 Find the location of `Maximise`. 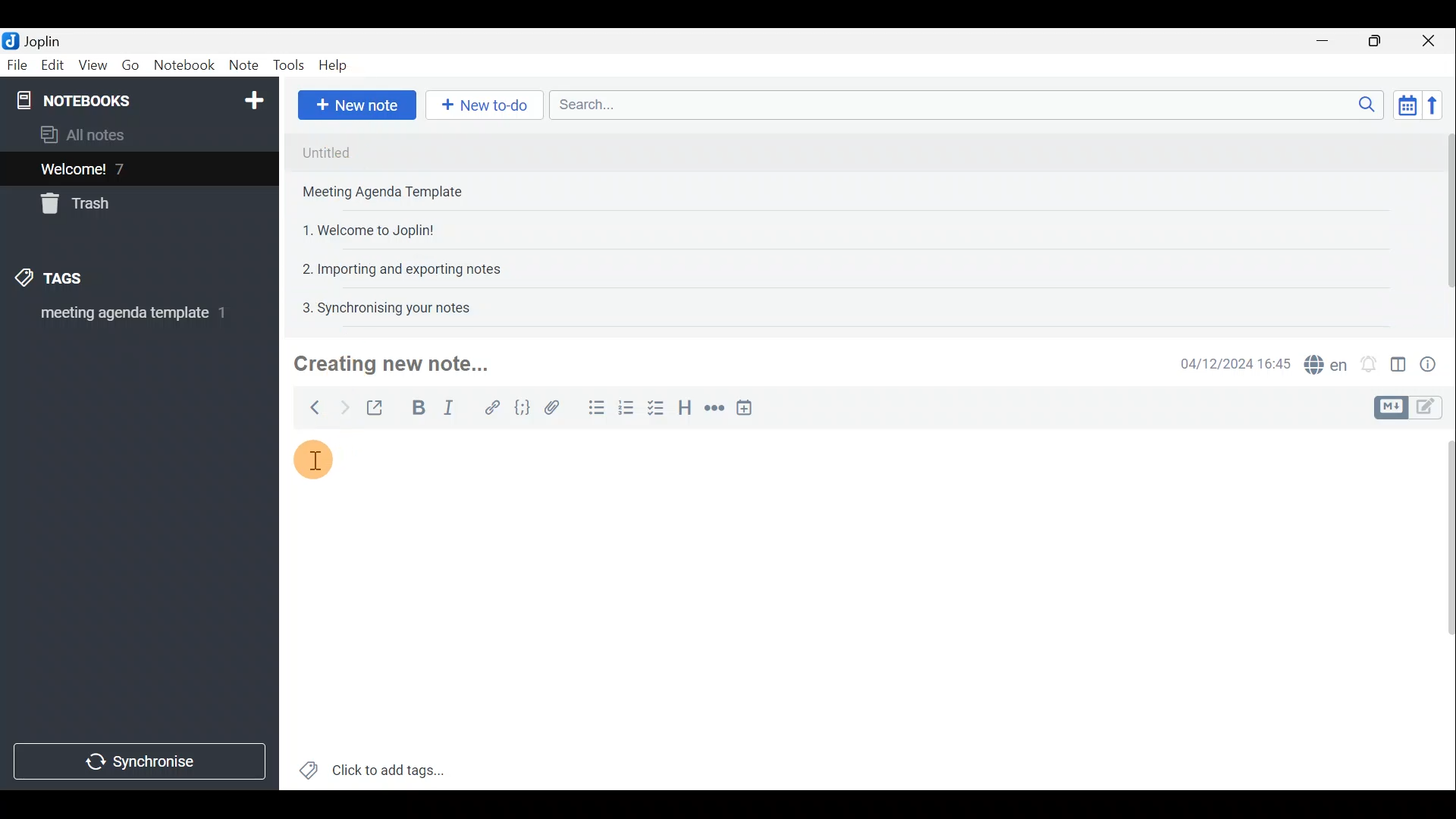

Maximise is located at coordinates (1380, 41).